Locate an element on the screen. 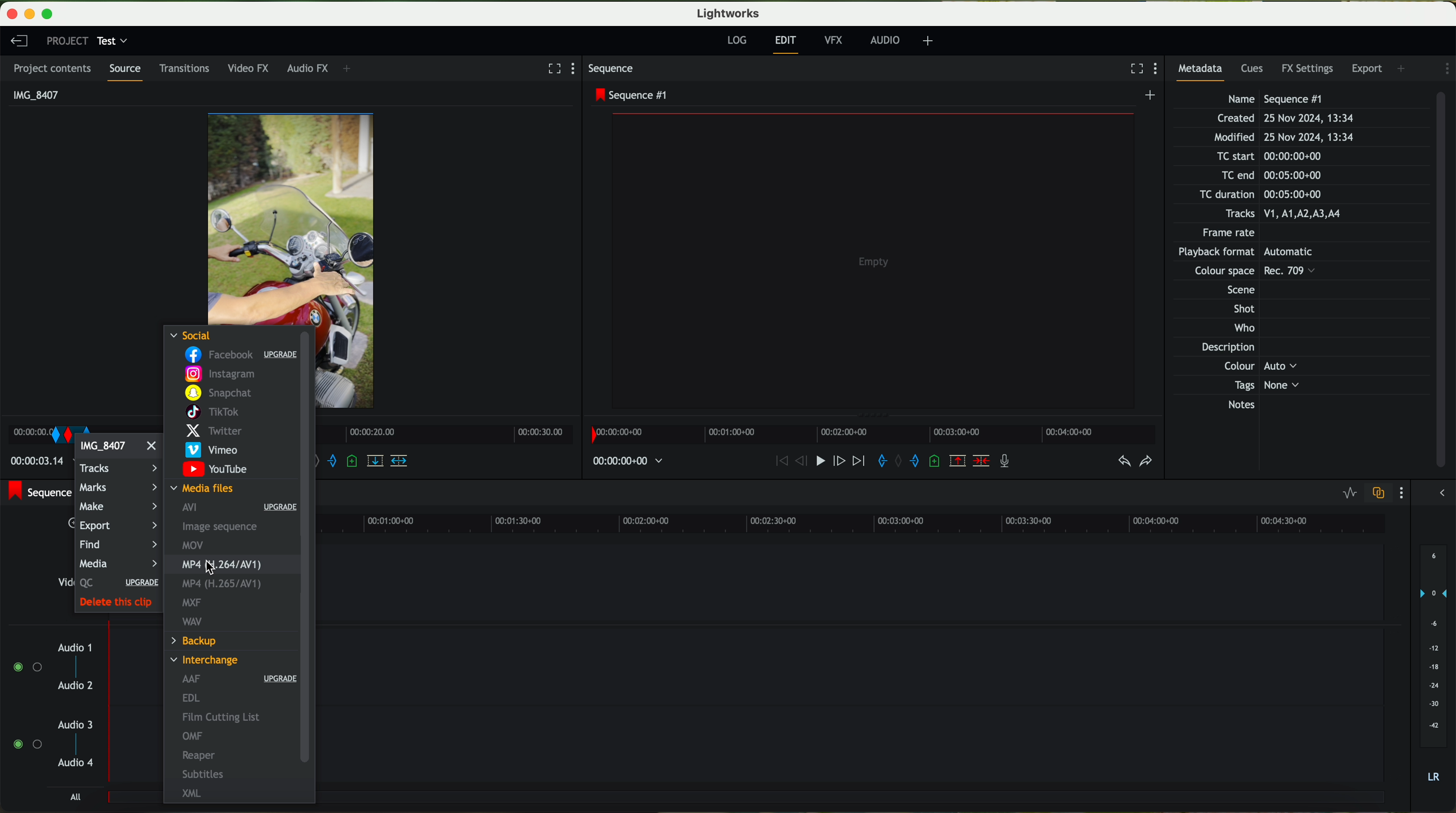  Name is located at coordinates (1278, 98).